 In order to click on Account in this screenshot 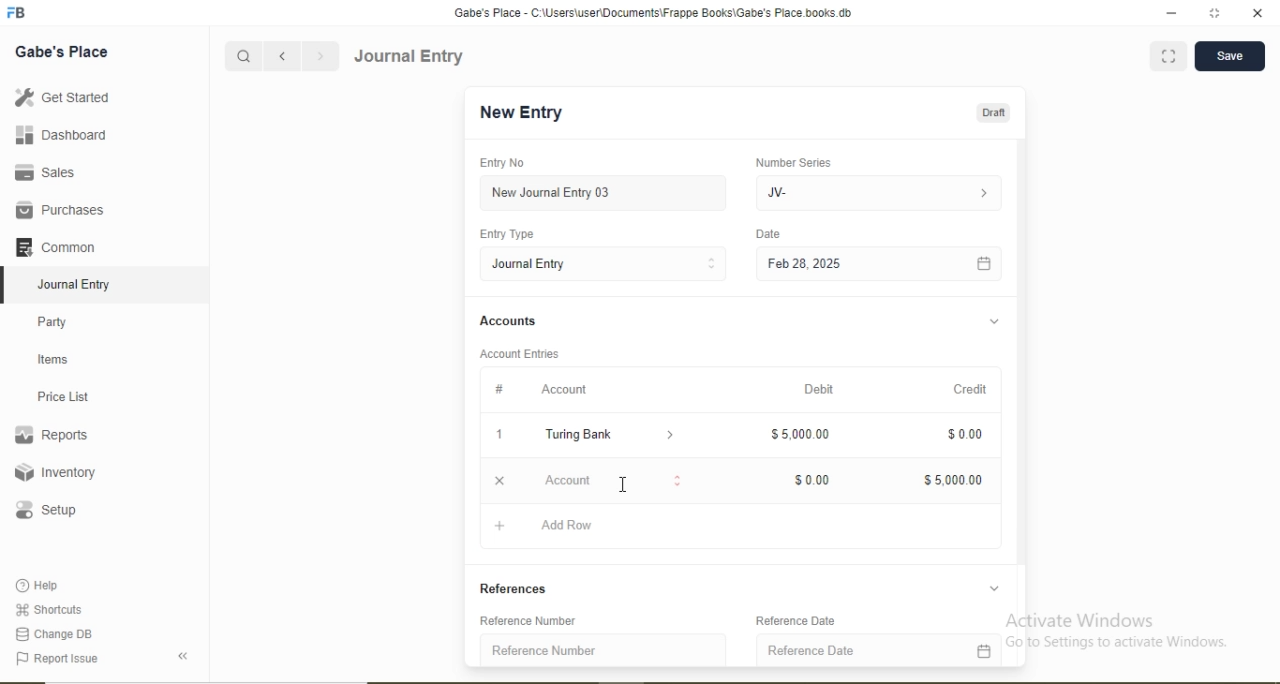, I will do `click(564, 390)`.